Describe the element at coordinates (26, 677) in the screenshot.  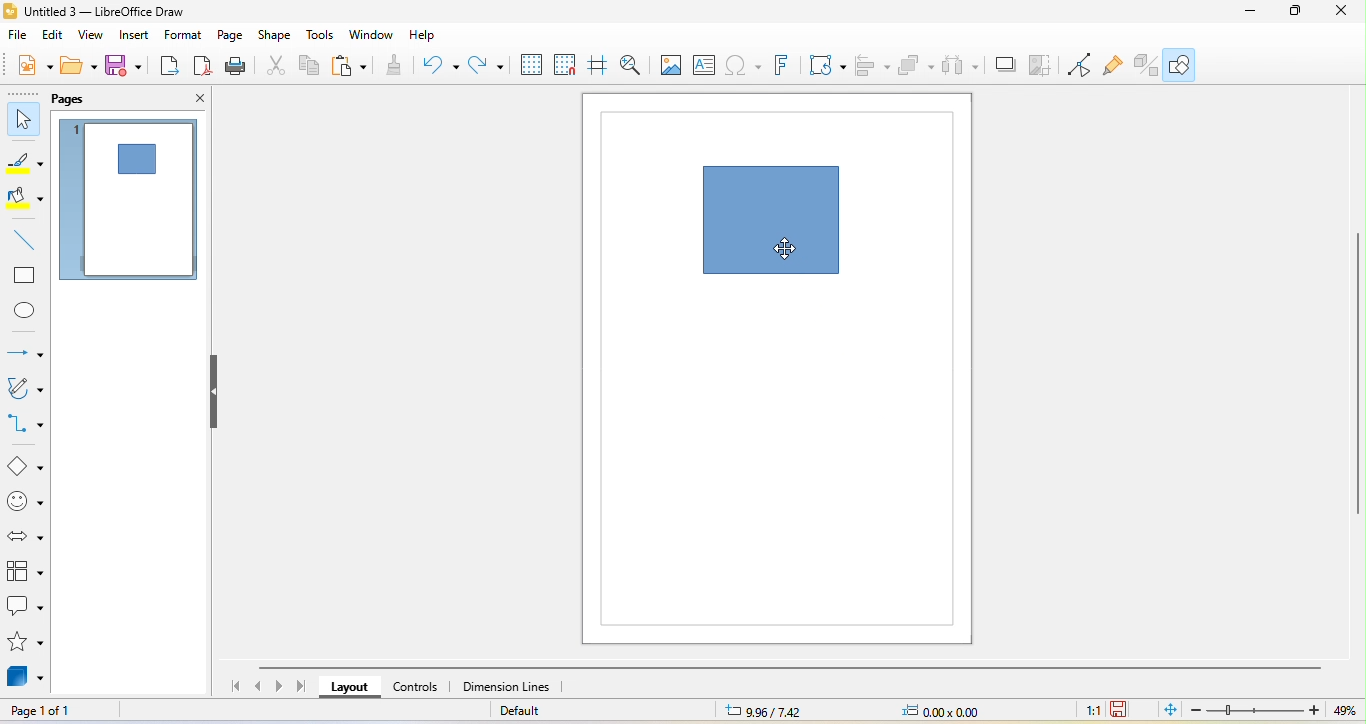
I see `3d object` at that location.